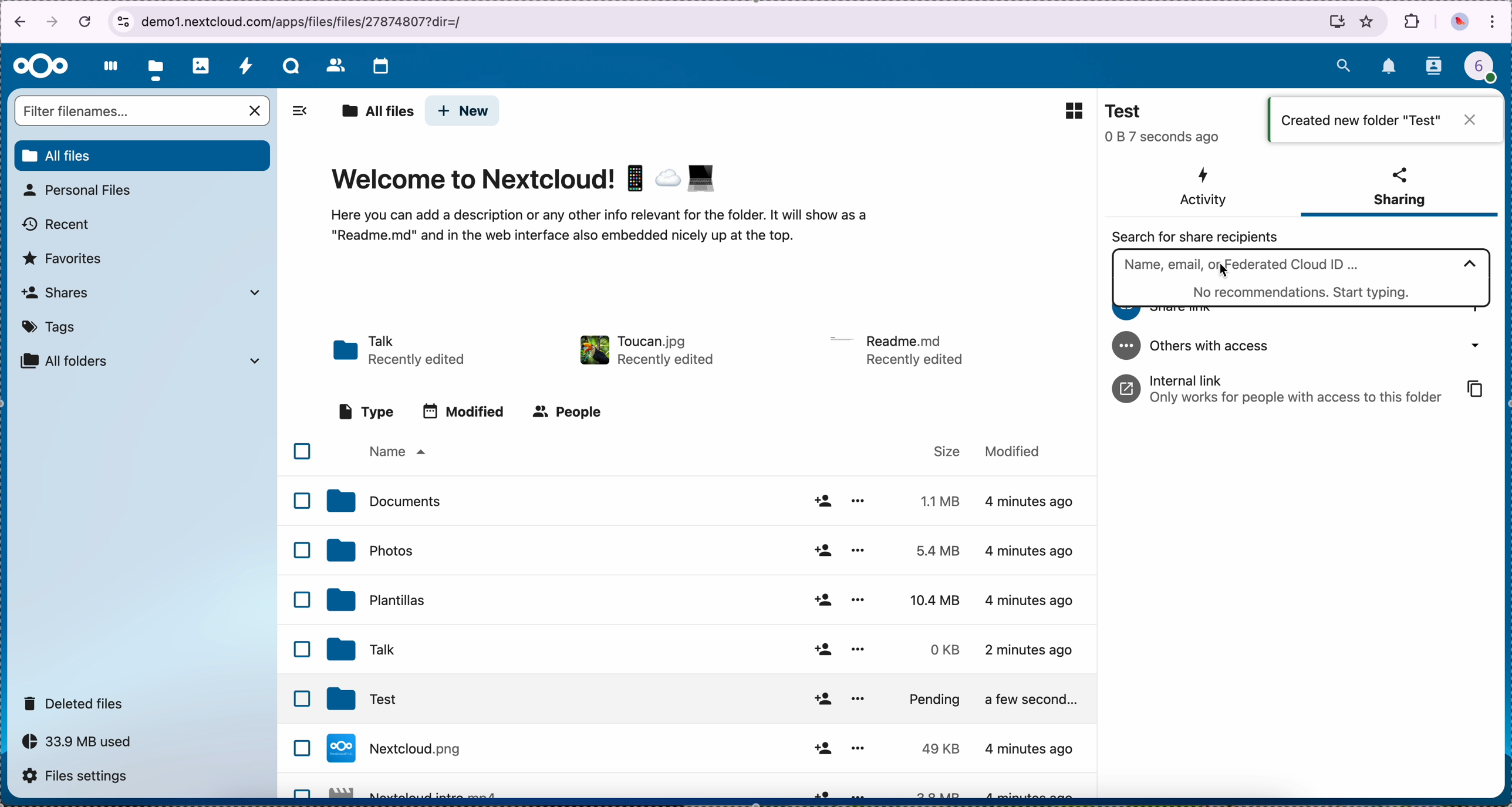 The image size is (1512, 807). What do you see at coordinates (380, 67) in the screenshot?
I see `calendar` at bounding box center [380, 67].